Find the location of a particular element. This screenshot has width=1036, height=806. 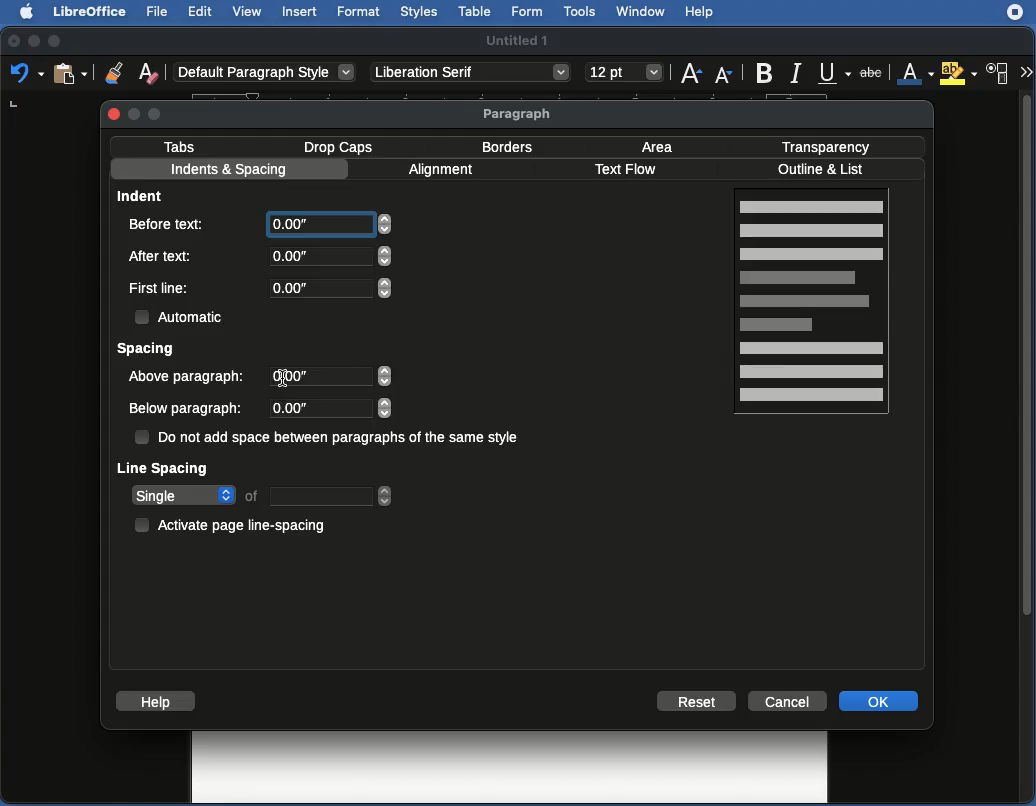

Text flow is located at coordinates (625, 171).